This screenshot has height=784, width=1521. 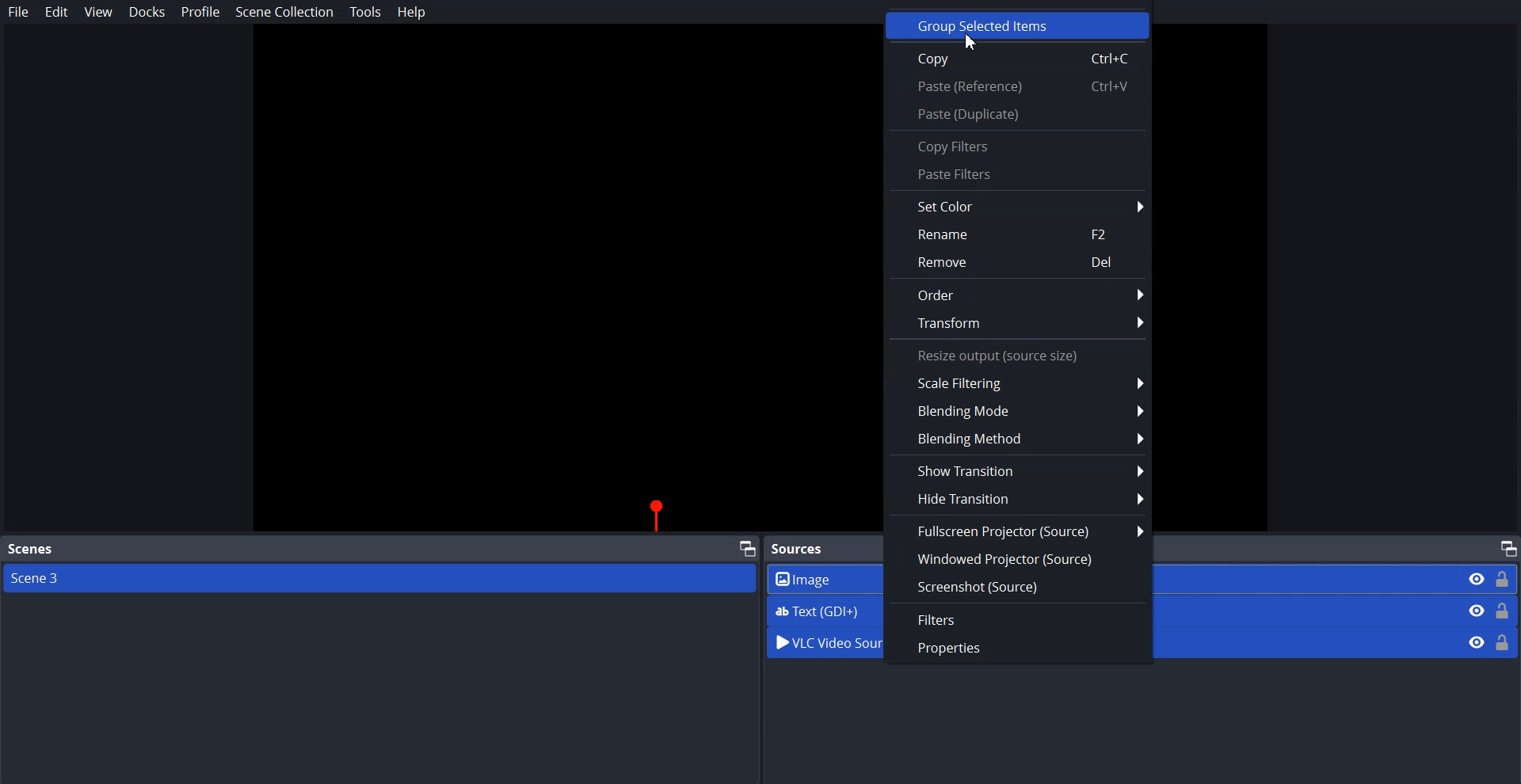 What do you see at coordinates (1016, 648) in the screenshot?
I see `Properties` at bounding box center [1016, 648].